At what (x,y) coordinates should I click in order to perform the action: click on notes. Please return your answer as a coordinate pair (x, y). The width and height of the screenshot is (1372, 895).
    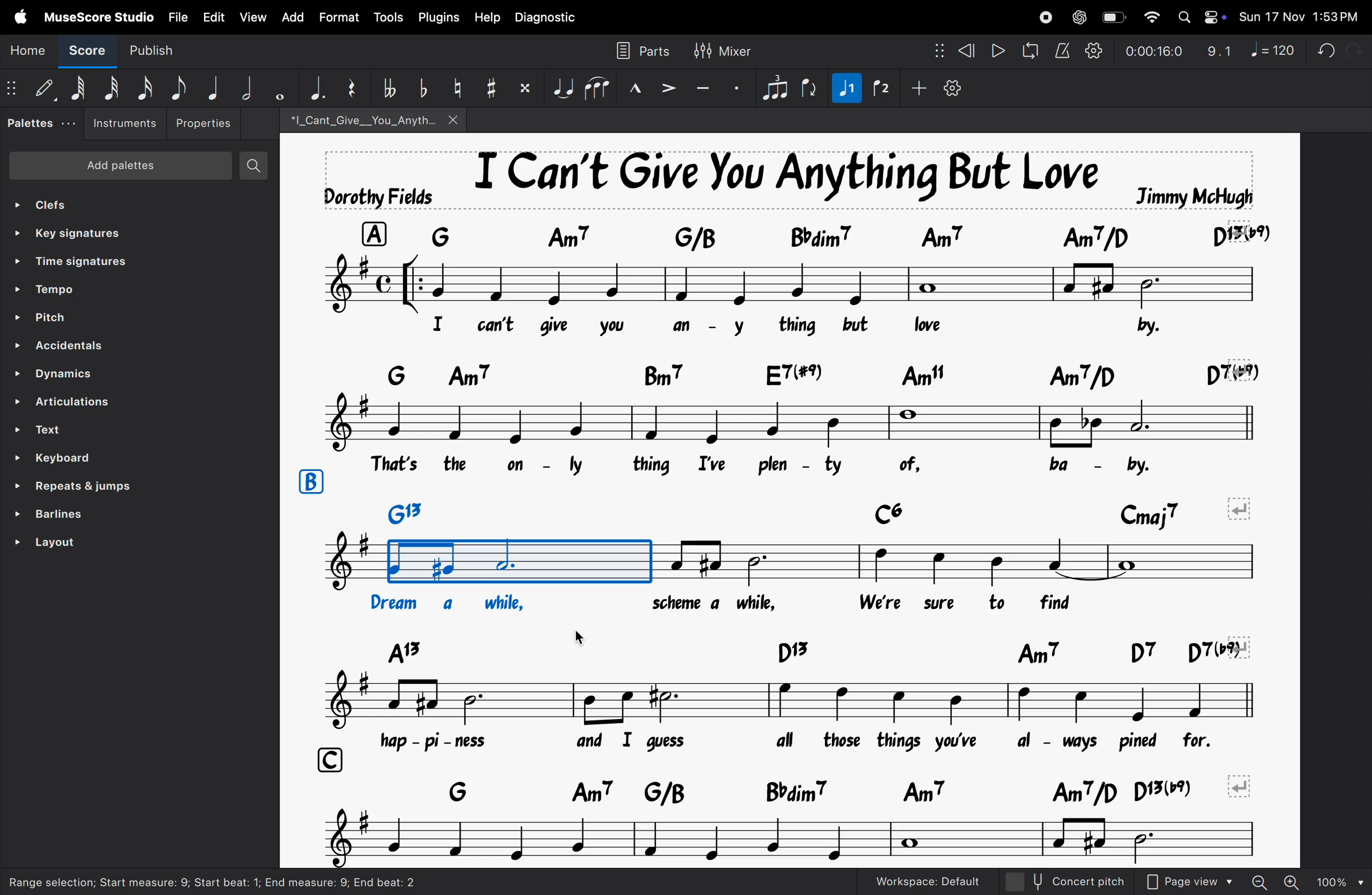
    Looking at the image, I should click on (780, 563).